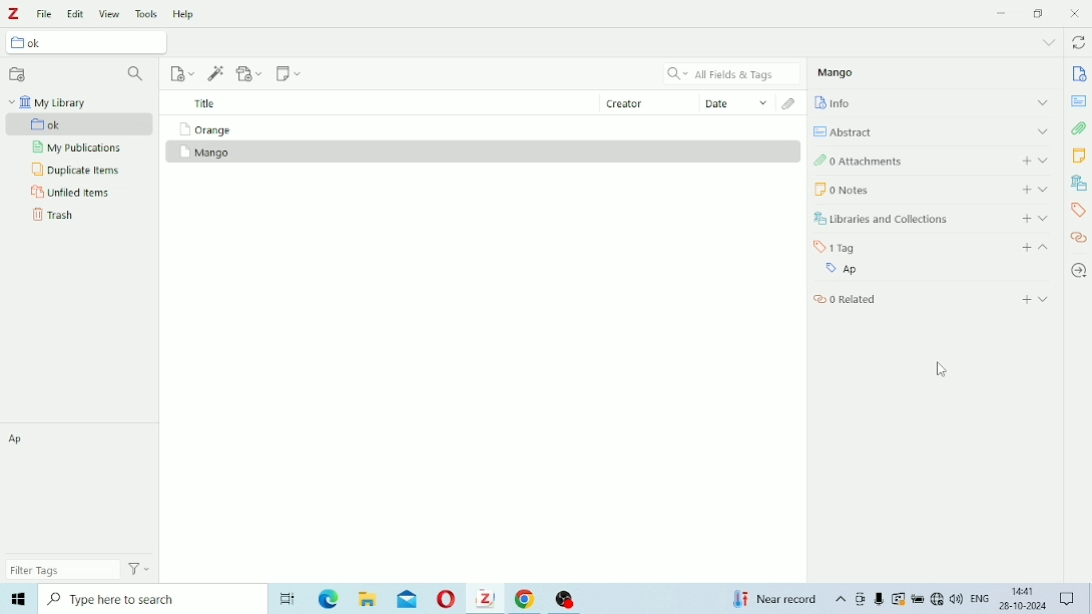 Image resolution: width=1092 pixels, height=614 pixels. What do you see at coordinates (1080, 75) in the screenshot?
I see `Info` at bounding box center [1080, 75].